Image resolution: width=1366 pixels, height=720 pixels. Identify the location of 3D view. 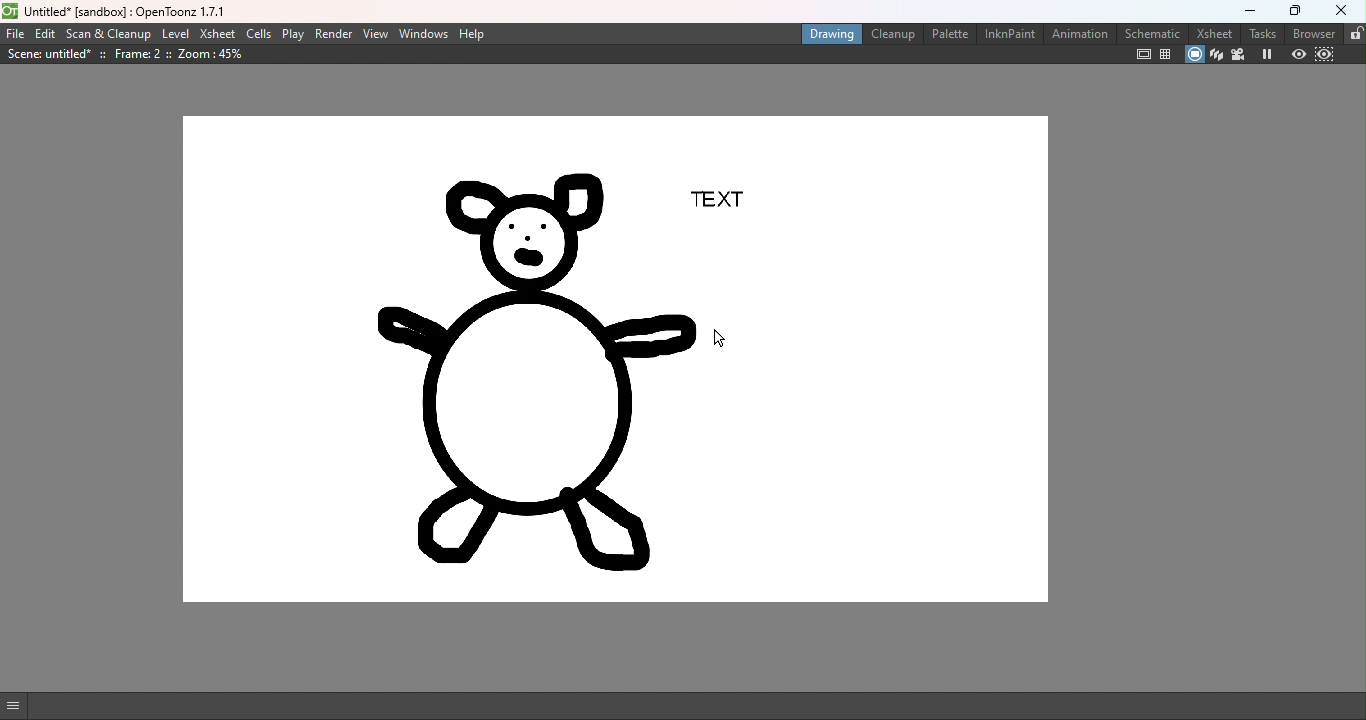
(1216, 55).